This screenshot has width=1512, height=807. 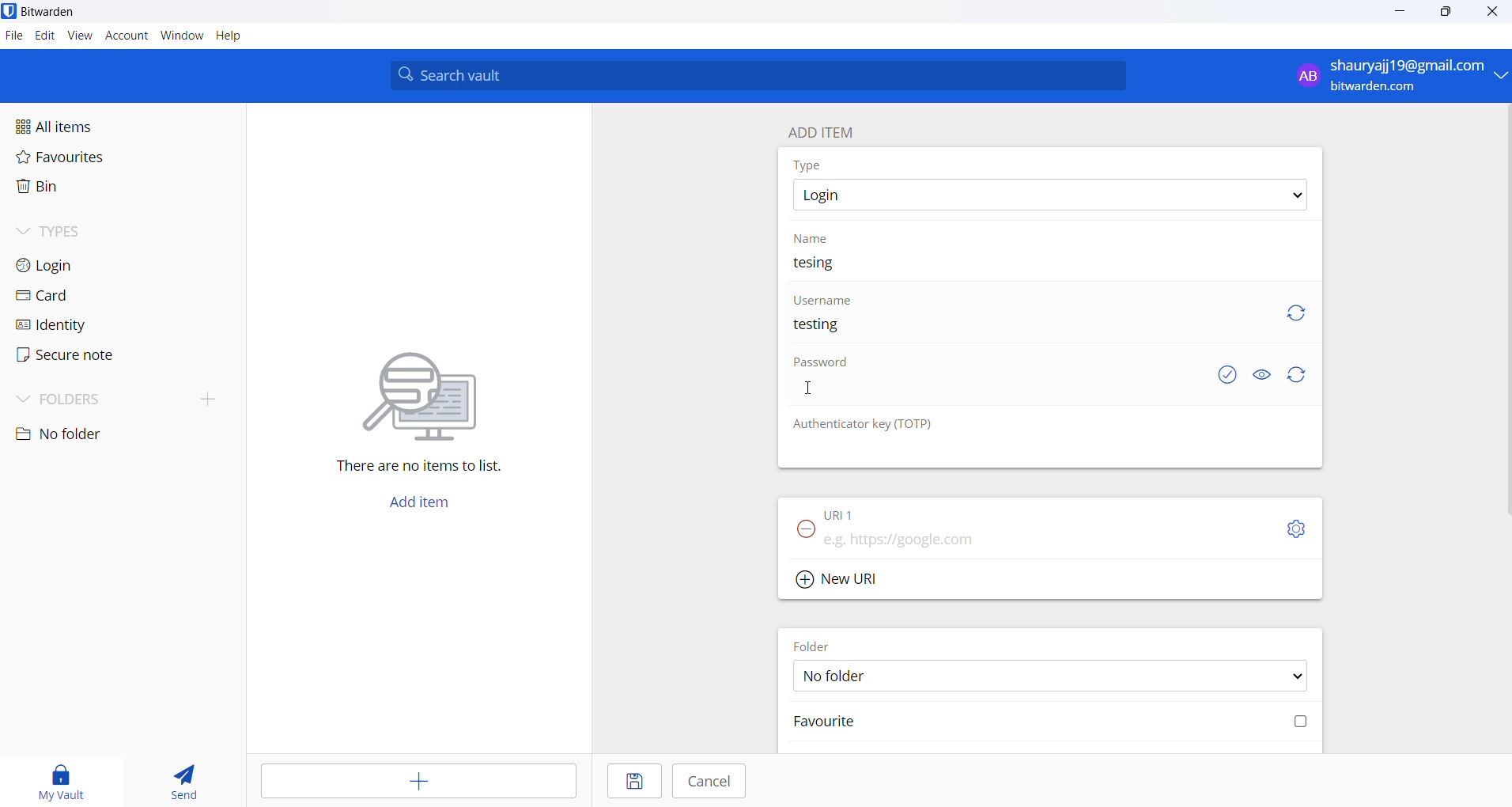 I want to click on Username text box, so click(x=1019, y=332).